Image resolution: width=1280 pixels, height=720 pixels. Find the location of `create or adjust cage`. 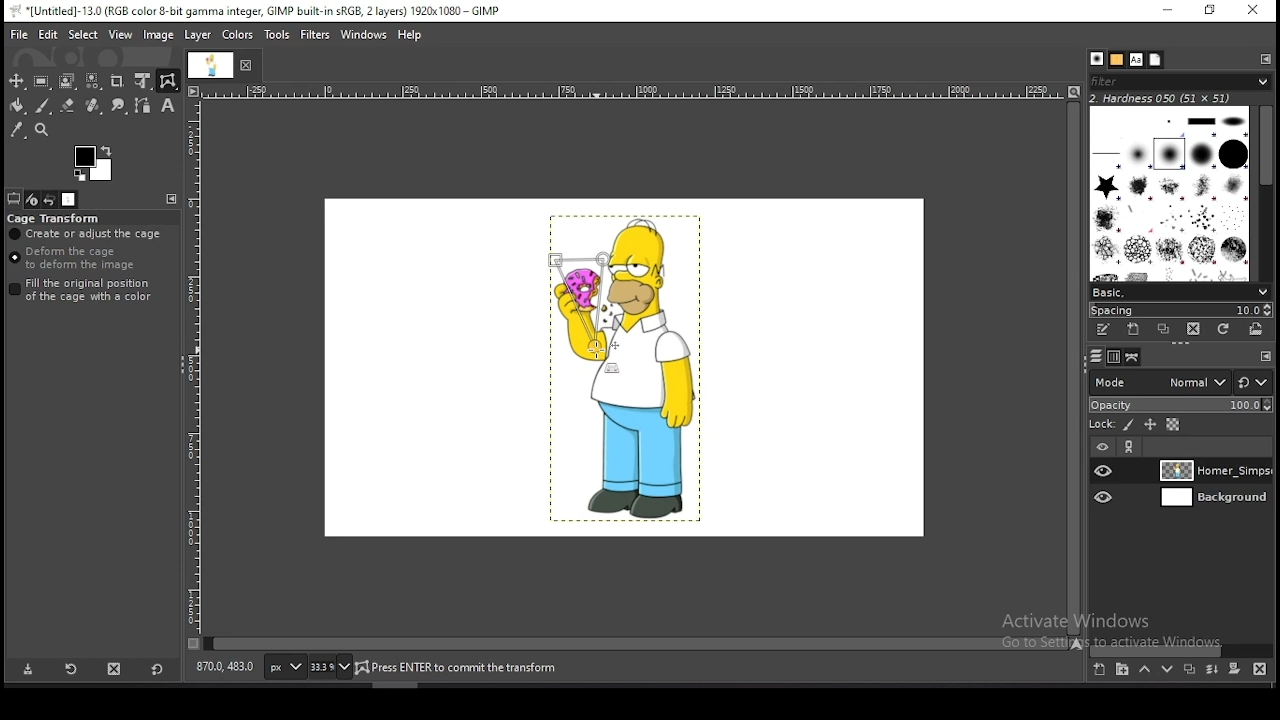

create or adjust cage is located at coordinates (87, 234).